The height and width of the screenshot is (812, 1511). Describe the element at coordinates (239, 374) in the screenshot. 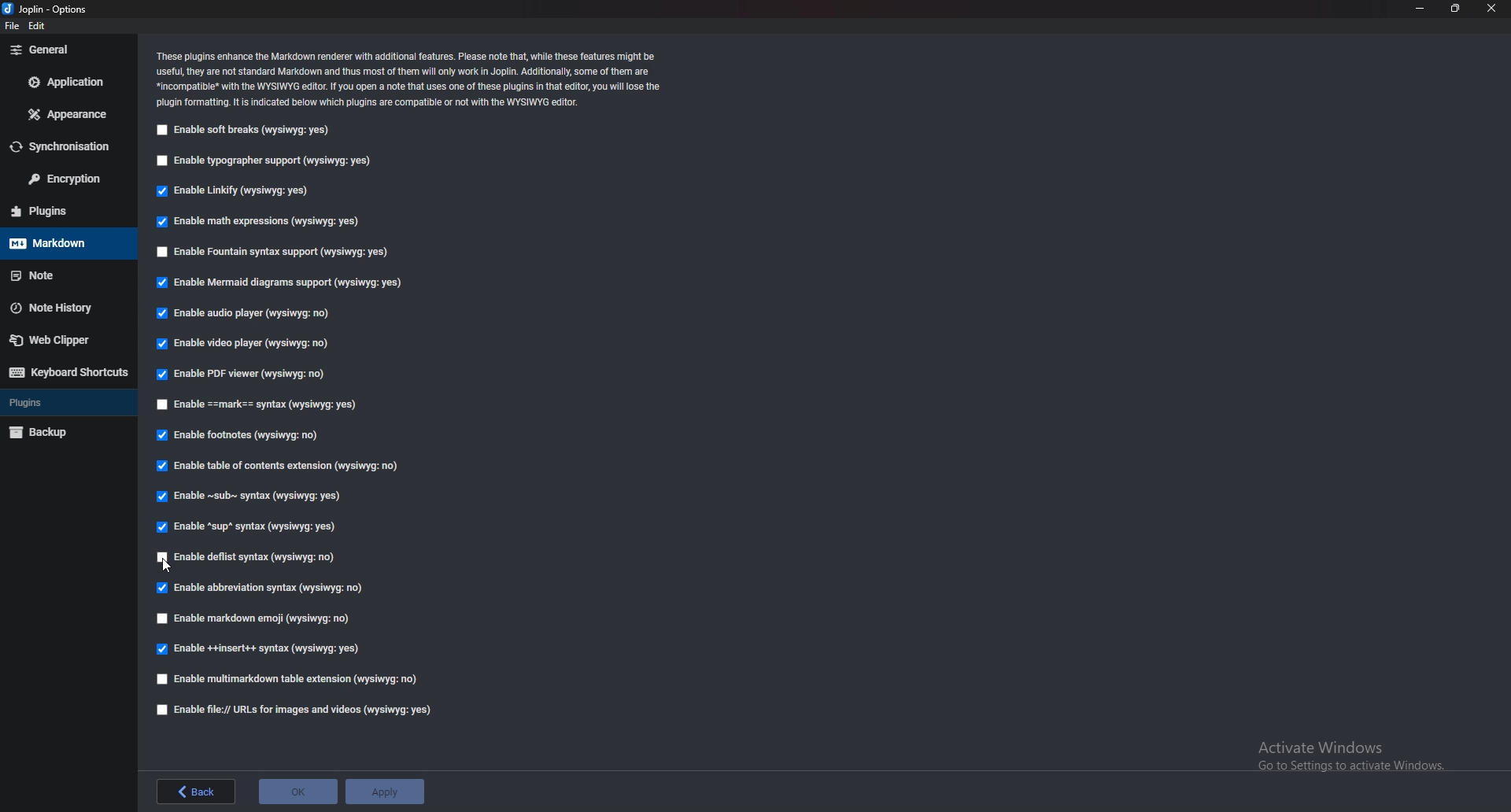

I see `Enable P D F viewer` at that location.